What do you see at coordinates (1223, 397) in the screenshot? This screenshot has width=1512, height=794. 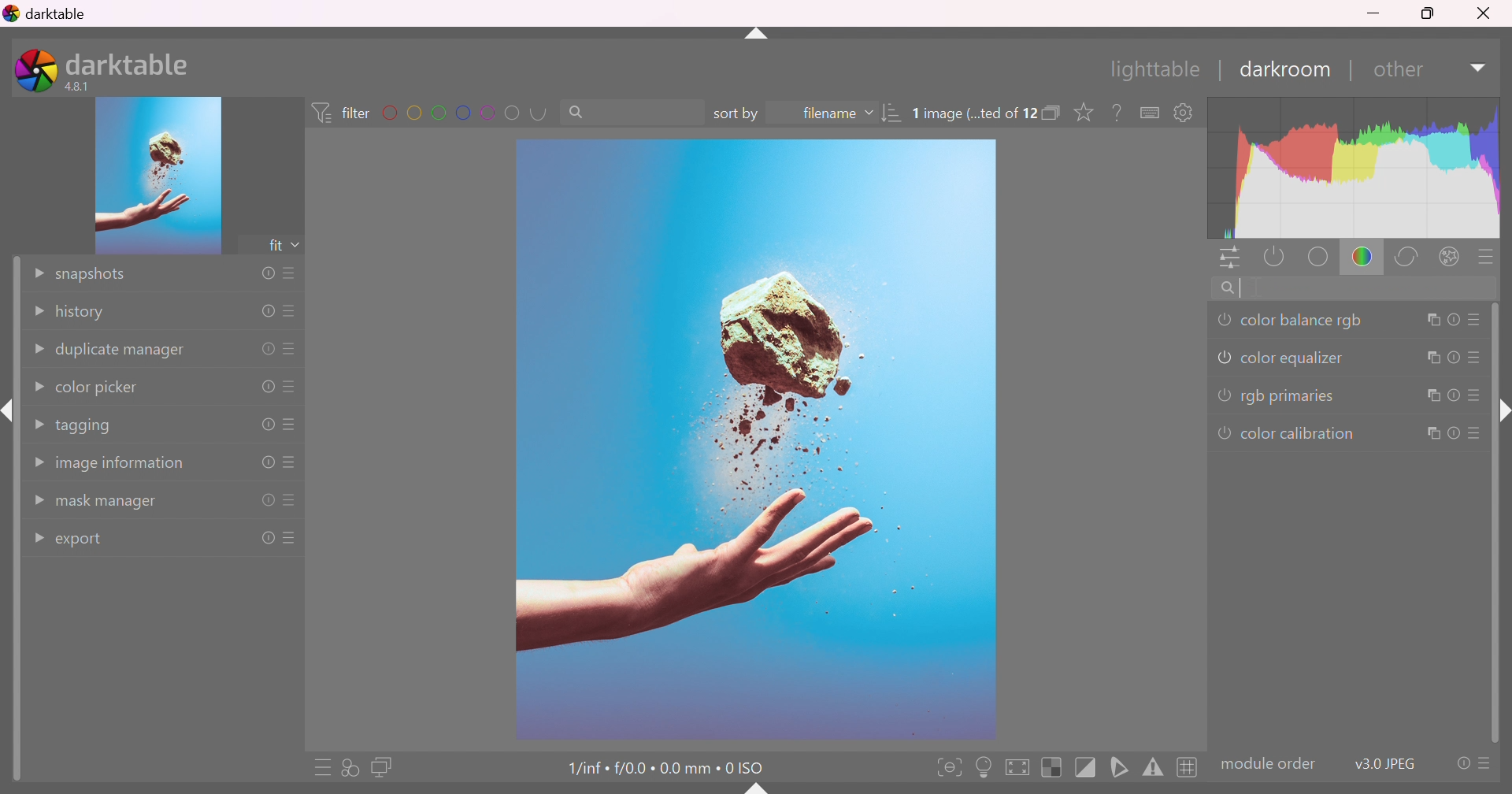 I see `'rgb primaries' is switched off` at bounding box center [1223, 397].